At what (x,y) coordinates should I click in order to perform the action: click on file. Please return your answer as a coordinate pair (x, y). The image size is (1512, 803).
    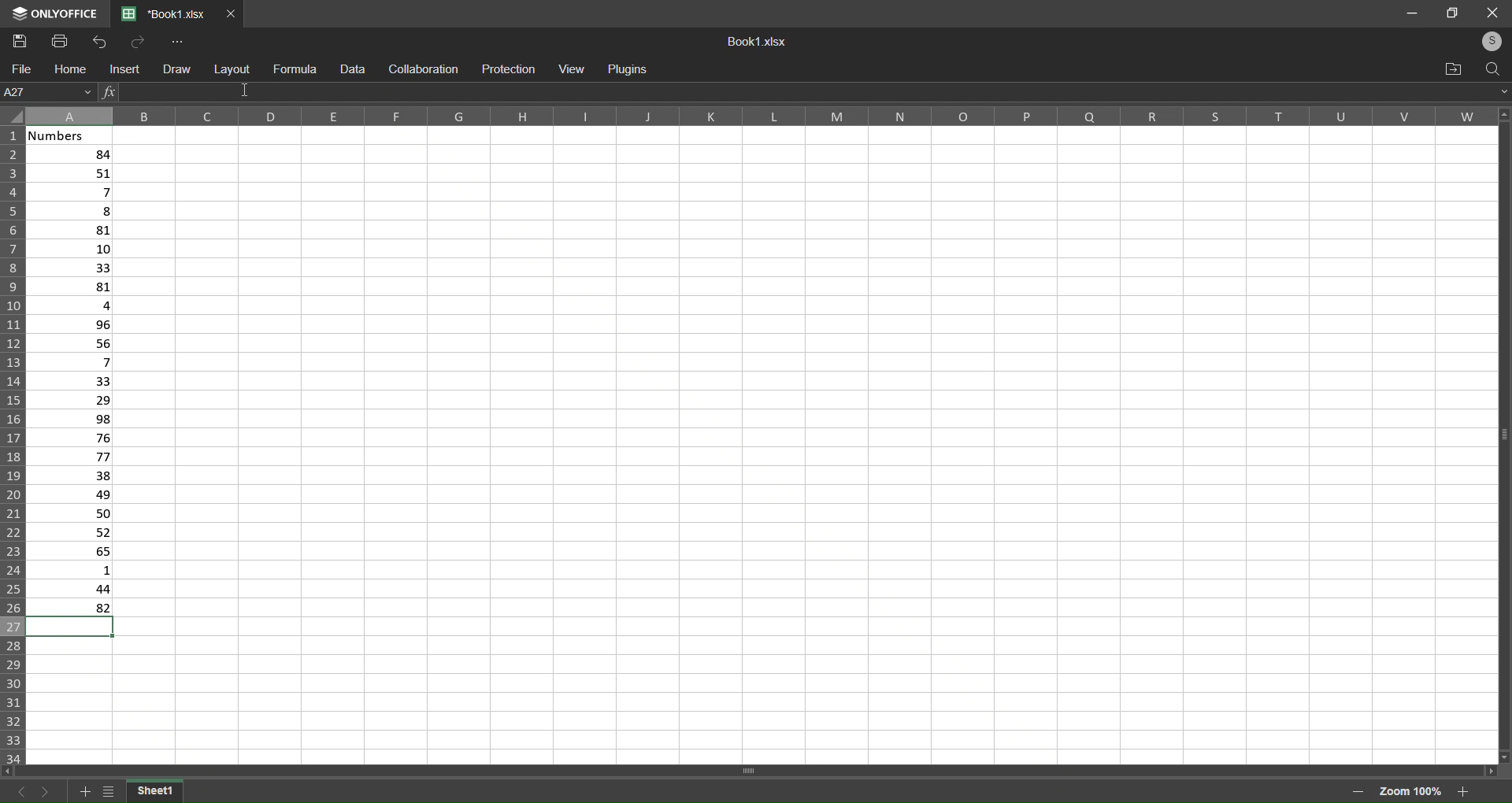
    Looking at the image, I should click on (22, 69).